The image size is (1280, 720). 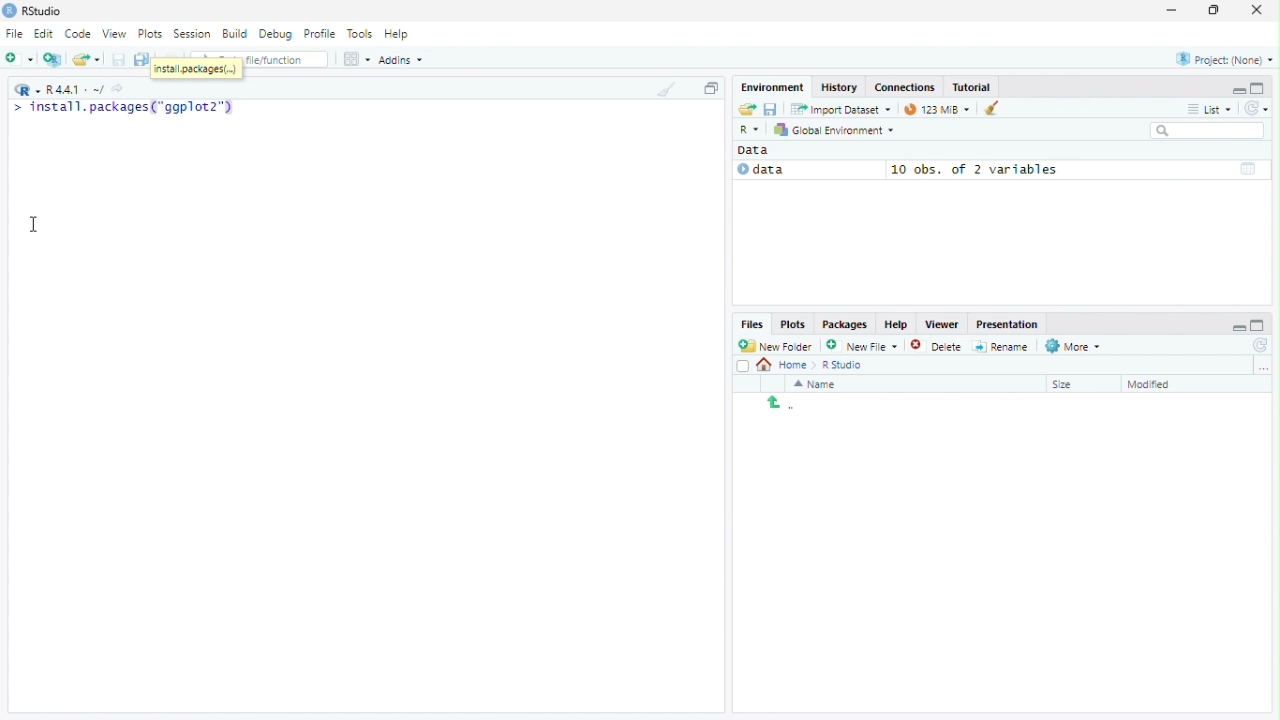 What do you see at coordinates (746, 110) in the screenshot?
I see `load workspace` at bounding box center [746, 110].